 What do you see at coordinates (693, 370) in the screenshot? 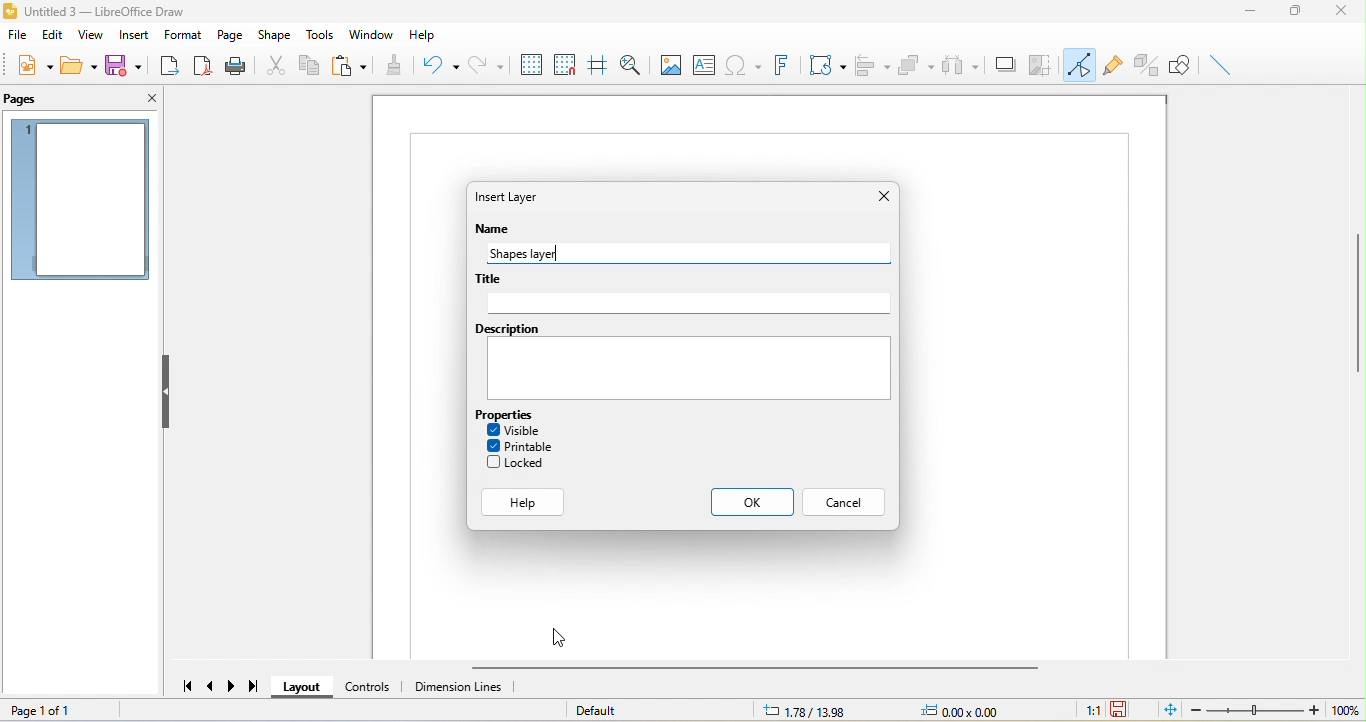
I see `Text box` at bounding box center [693, 370].